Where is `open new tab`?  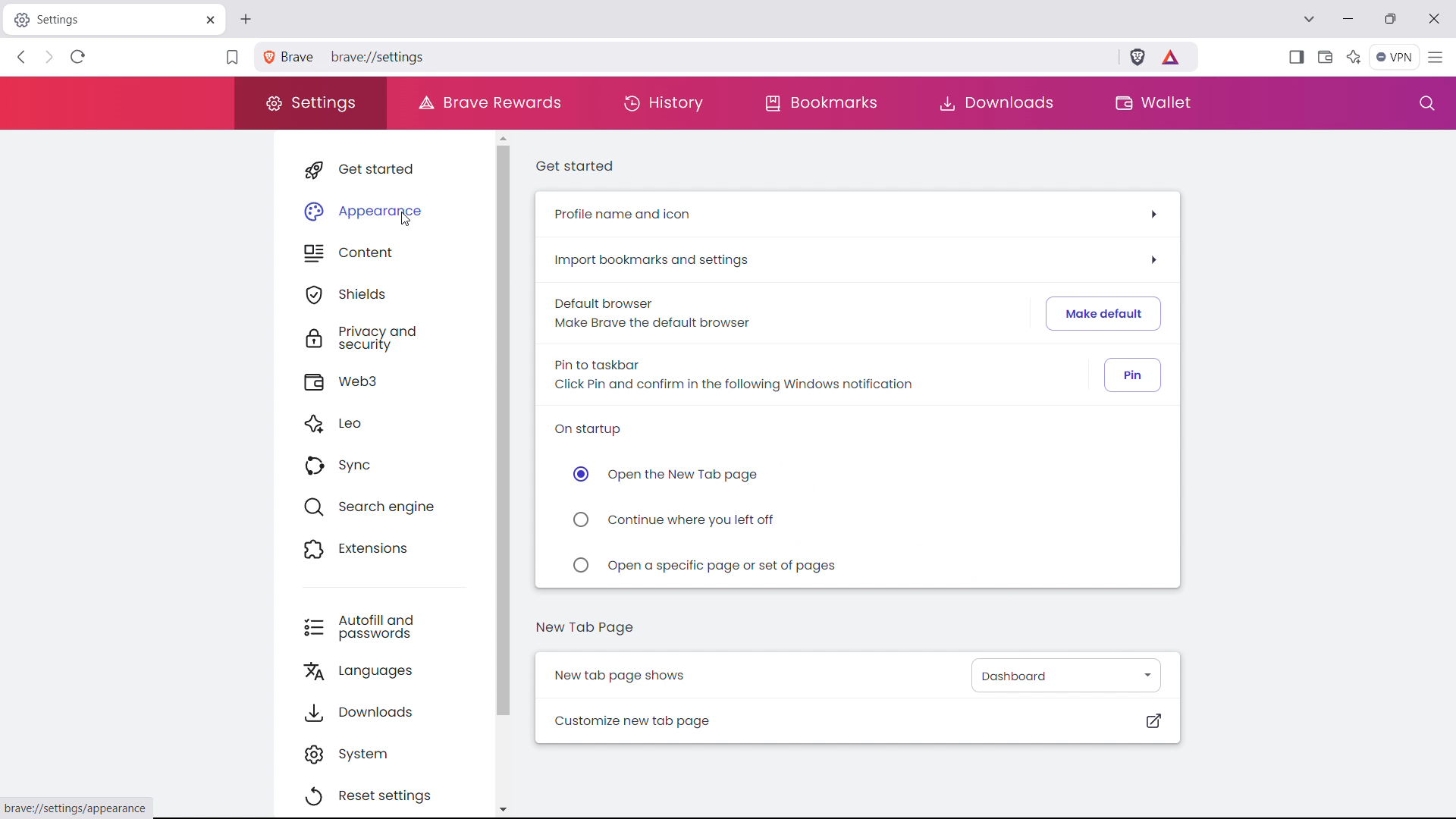
open new tab is located at coordinates (246, 20).